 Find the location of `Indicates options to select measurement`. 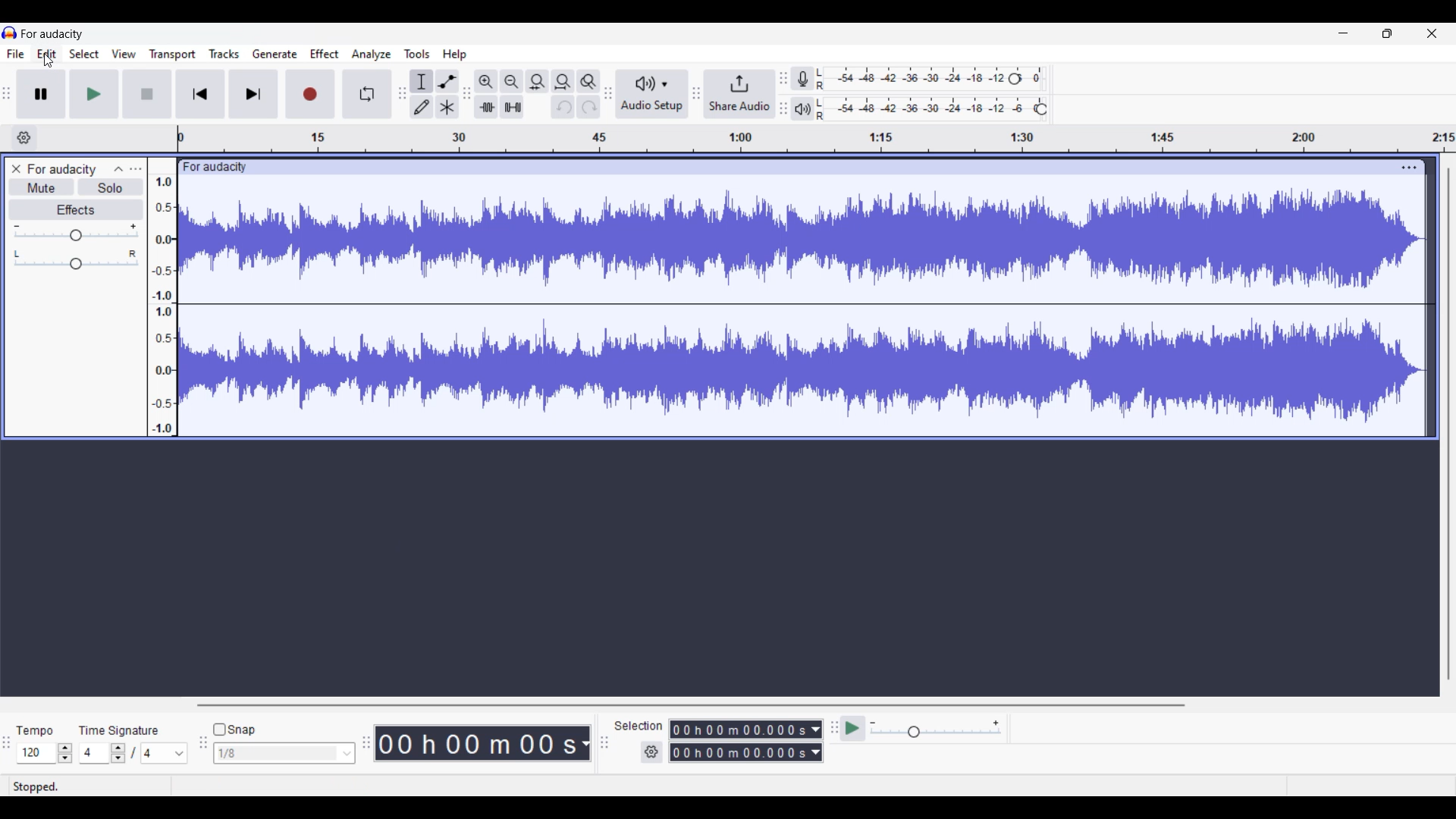

Indicates options to select measurement is located at coordinates (639, 726).